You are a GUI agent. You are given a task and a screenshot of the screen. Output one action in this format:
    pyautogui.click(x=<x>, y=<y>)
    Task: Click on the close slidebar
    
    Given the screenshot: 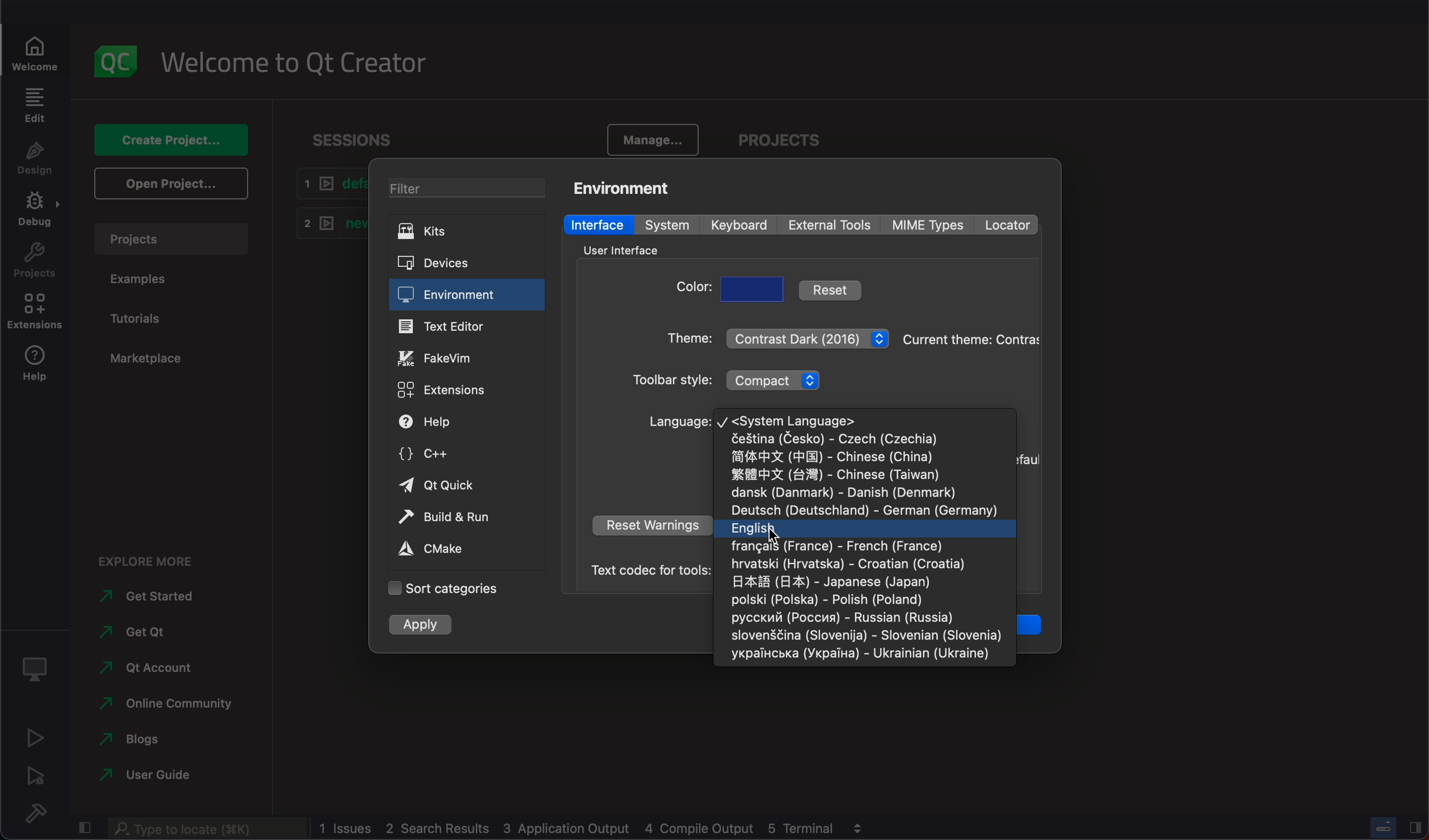 What is the action you would take?
    pyautogui.click(x=84, y=826)
    